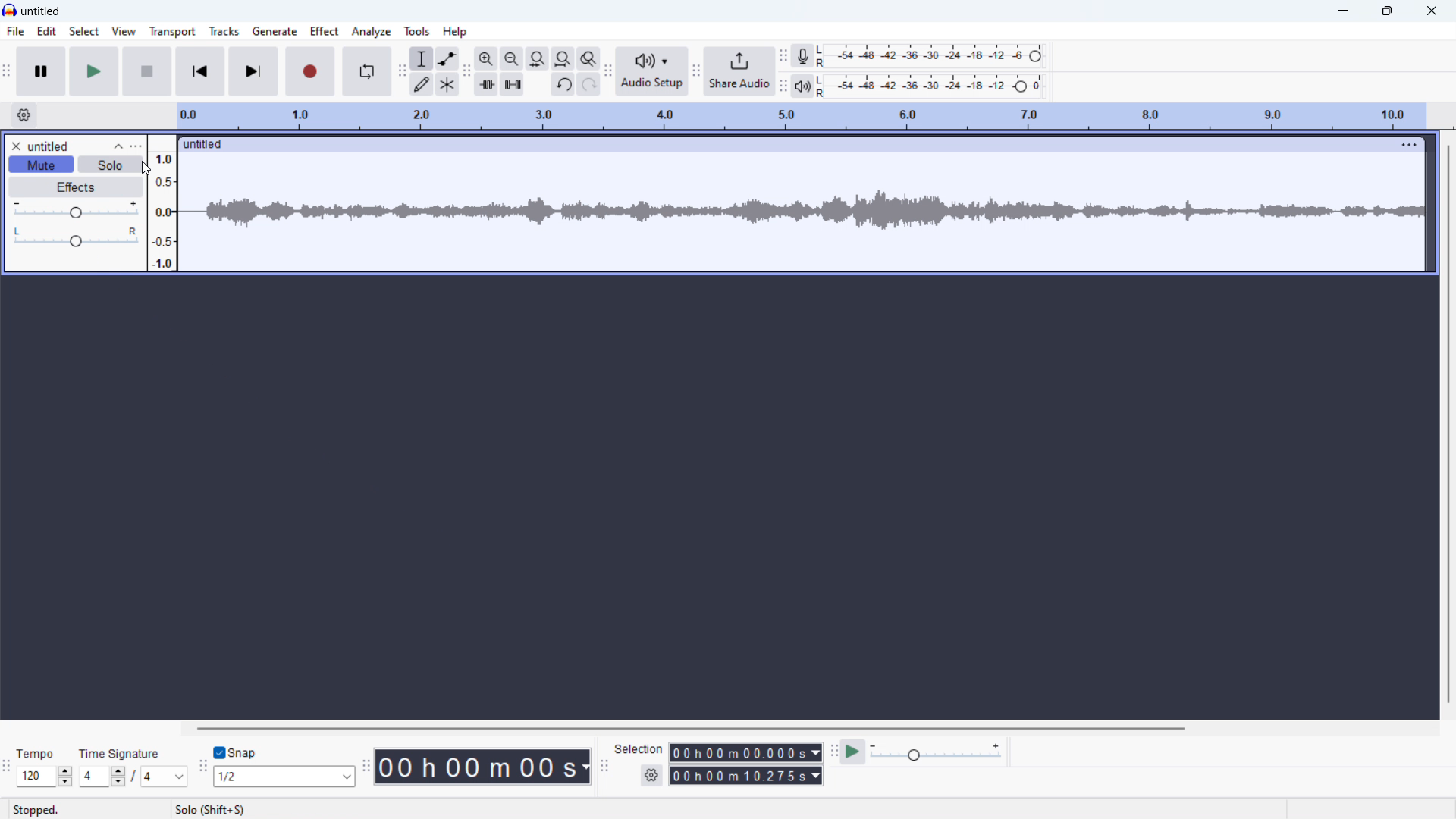 The height and width of the screenshot is (819, 1456). Describe the element at coordinates (35, 810) in the screenshot. I see `stopped` at that location.